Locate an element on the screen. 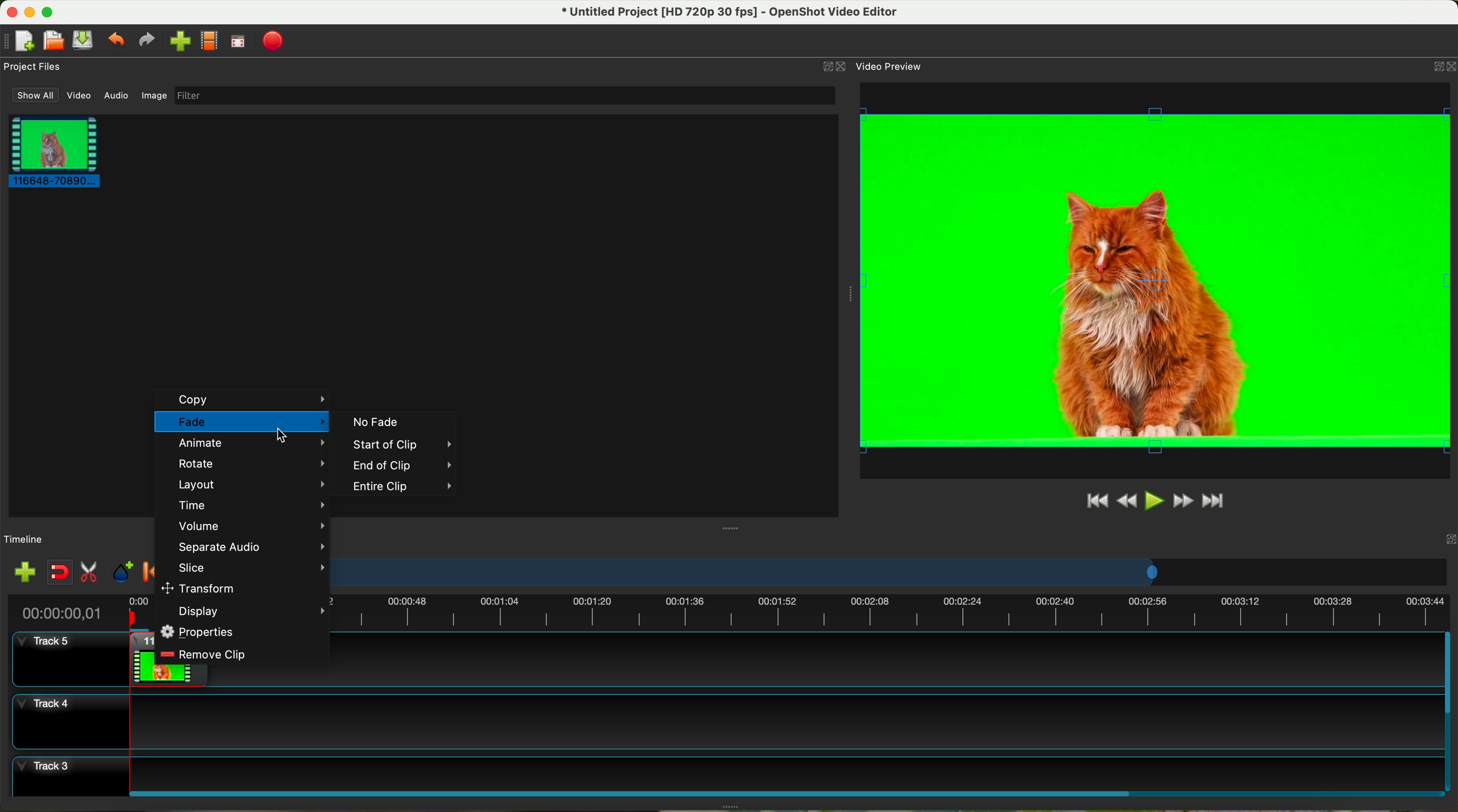 The height and width of the screenshot is (812, 1458). properties is located at coordinates (200, 631).